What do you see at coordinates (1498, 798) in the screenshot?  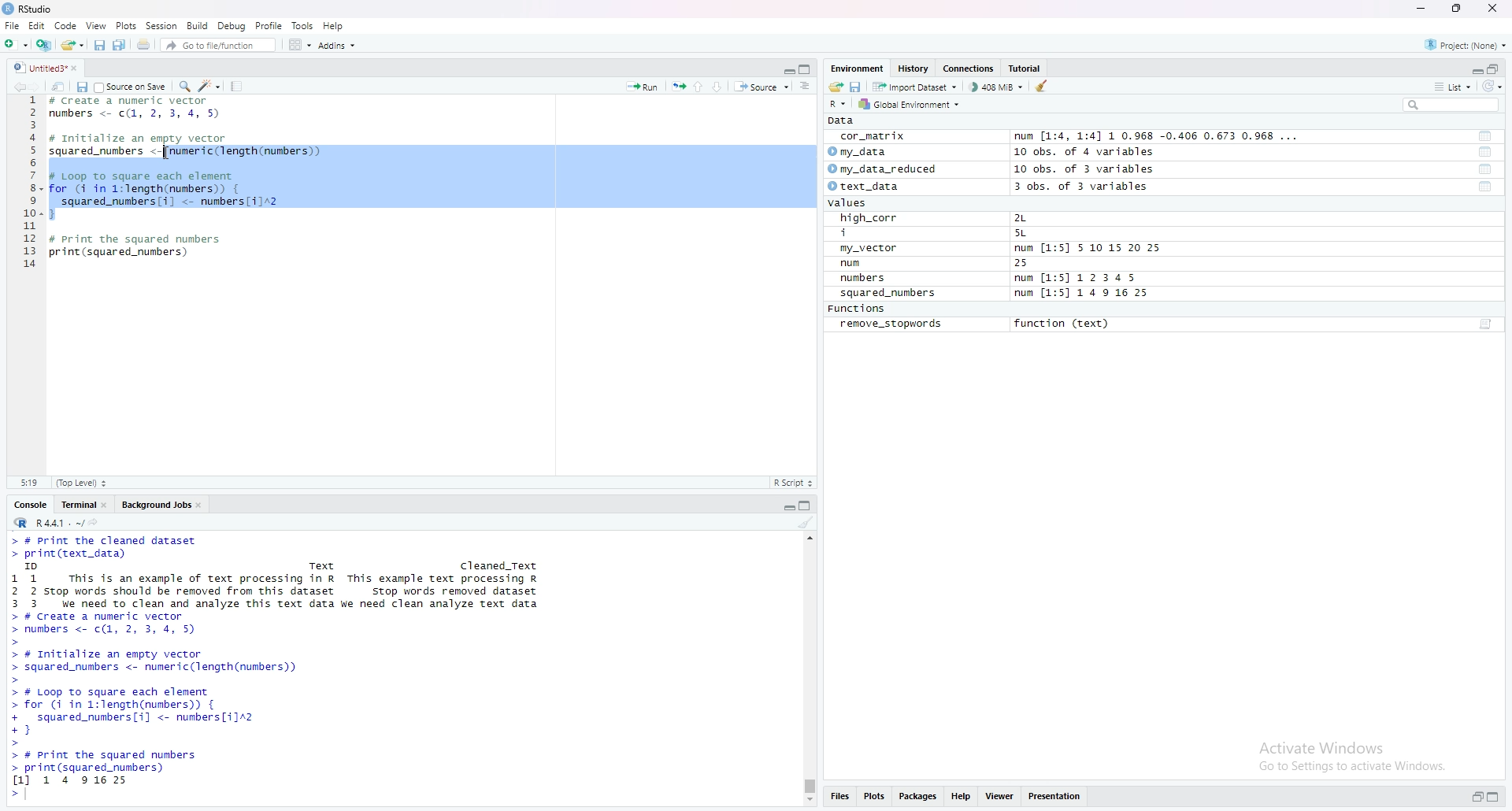 I see `maximize` at bounding box center [1498, 798].